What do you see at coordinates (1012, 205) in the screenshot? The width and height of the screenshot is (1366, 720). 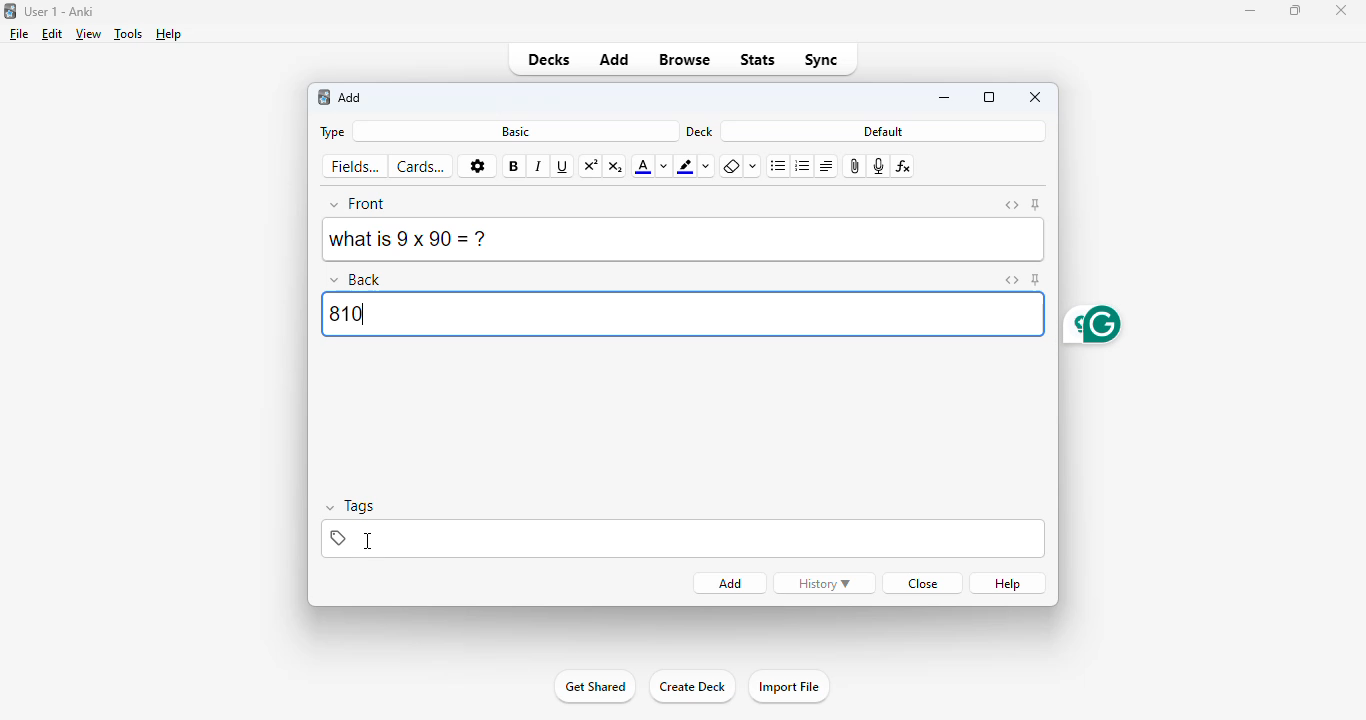 I see `toggle HTML editor` at bounding box center [1012, 205].